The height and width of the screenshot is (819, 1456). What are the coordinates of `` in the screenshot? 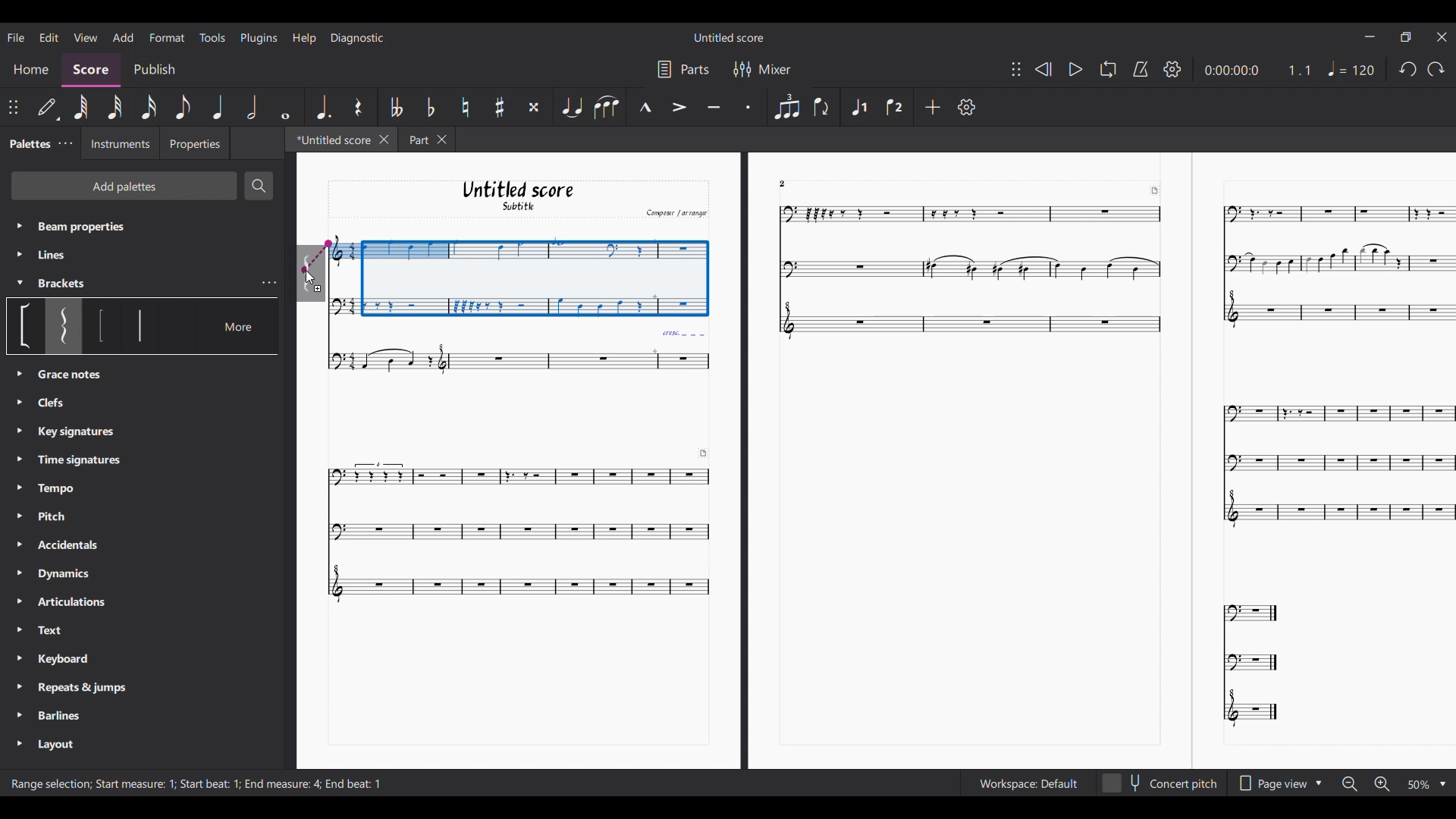 It's located at (14, 224).